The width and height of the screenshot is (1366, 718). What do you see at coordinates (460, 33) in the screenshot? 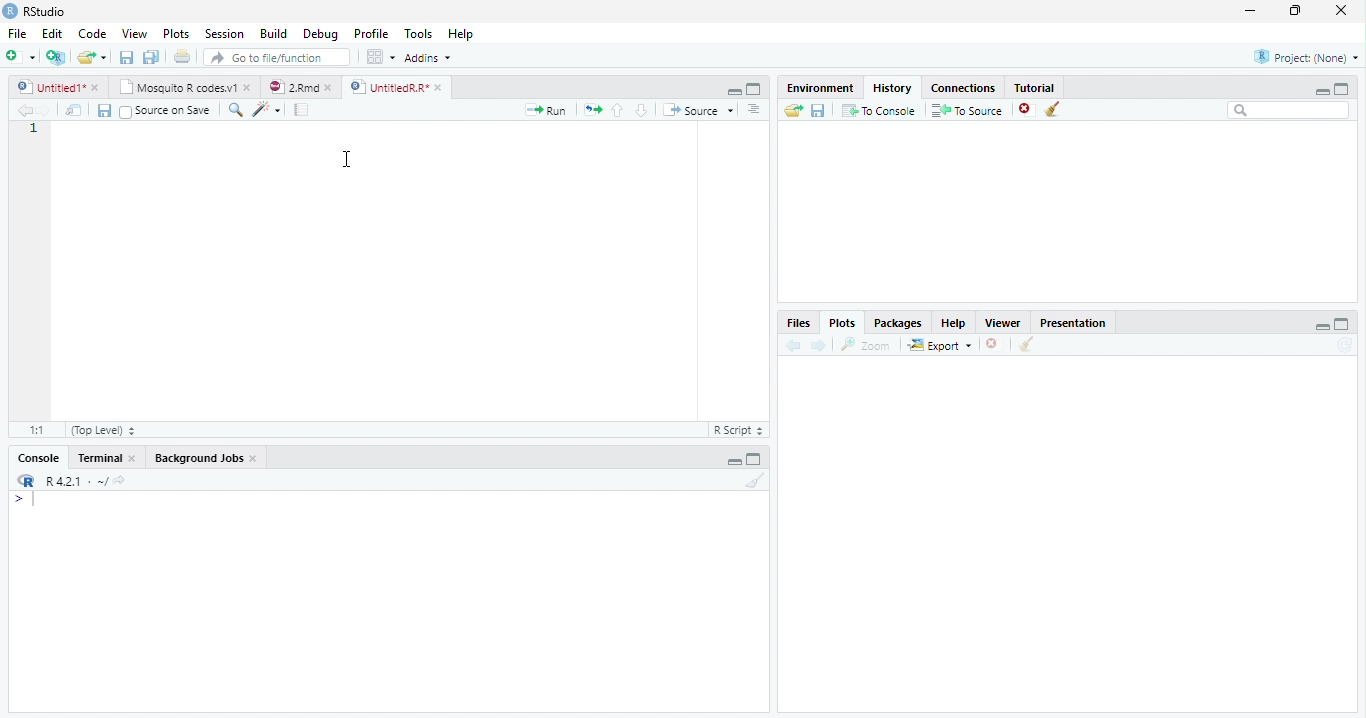
I see `Help` at bounding box center [460, 33].